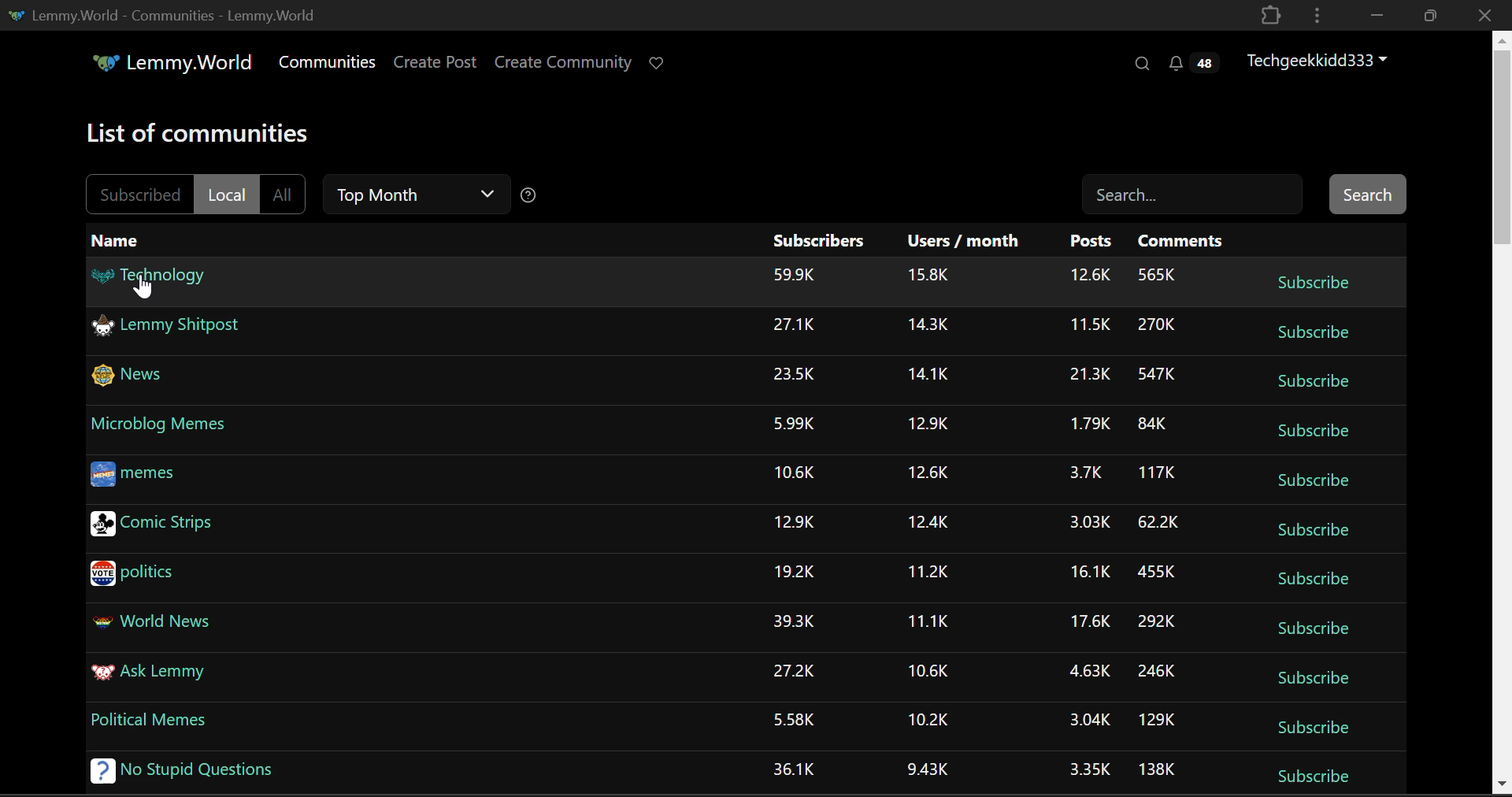 The width and height of the screenshot is (1512, 797). I want to click on World News, so click(152, 619).